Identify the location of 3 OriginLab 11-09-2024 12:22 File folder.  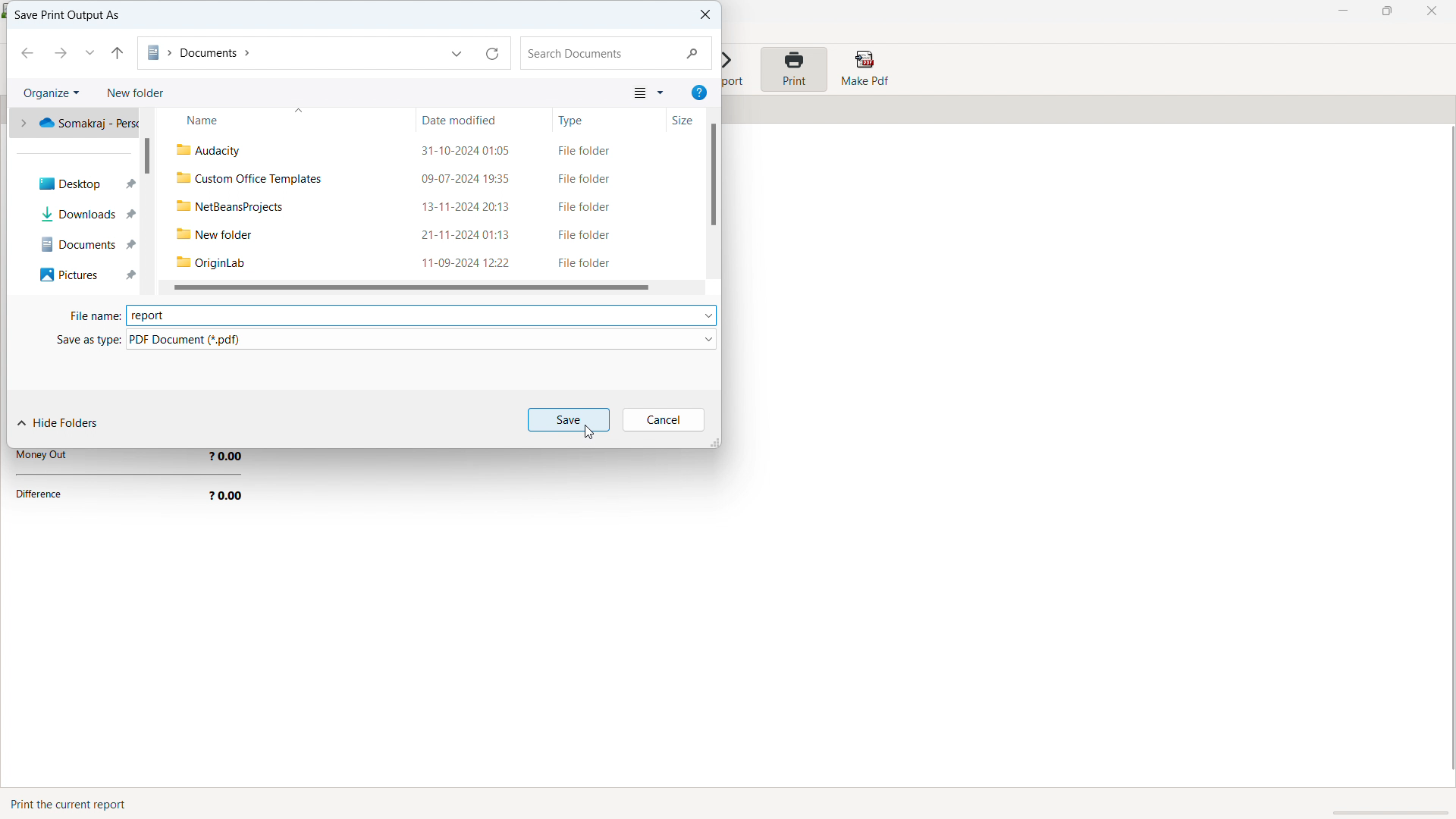
(422, 262).